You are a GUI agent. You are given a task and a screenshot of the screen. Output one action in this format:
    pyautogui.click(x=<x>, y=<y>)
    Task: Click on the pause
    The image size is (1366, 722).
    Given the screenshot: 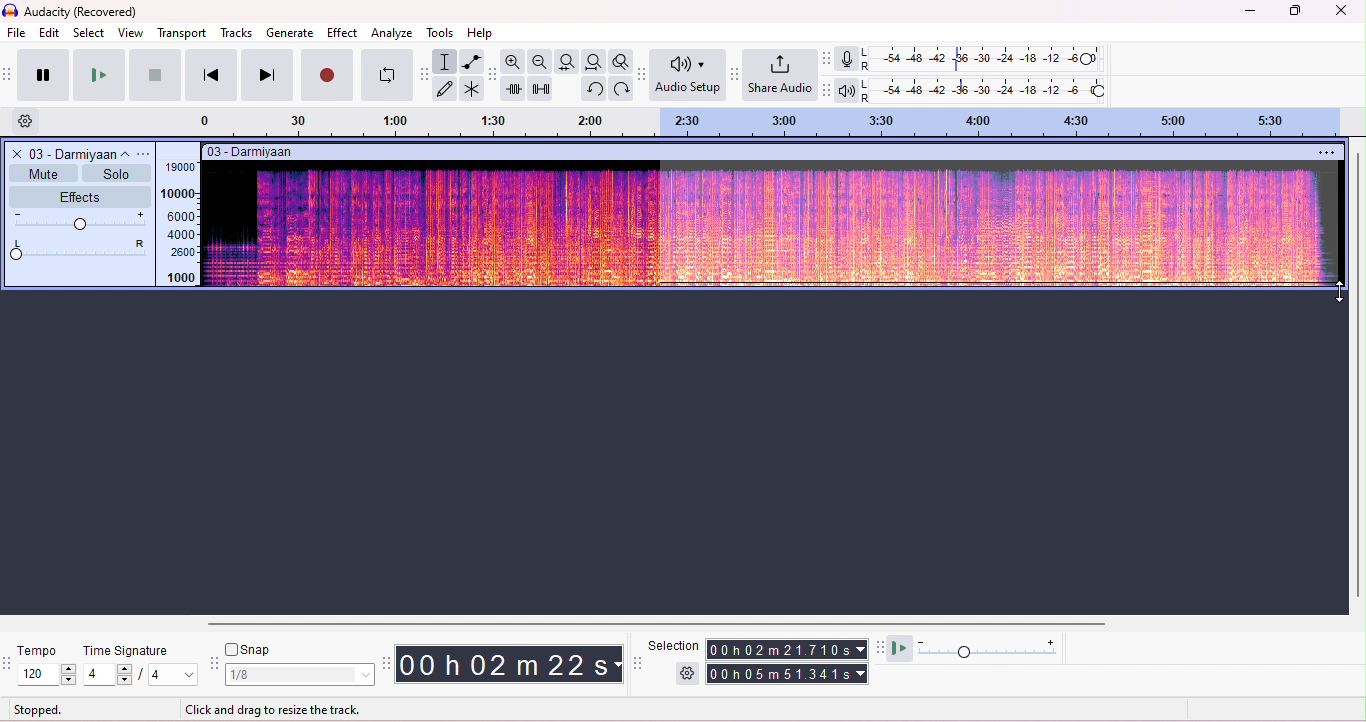 What is the action you would take?
    pyautogui.click(x=40, y=74)
    